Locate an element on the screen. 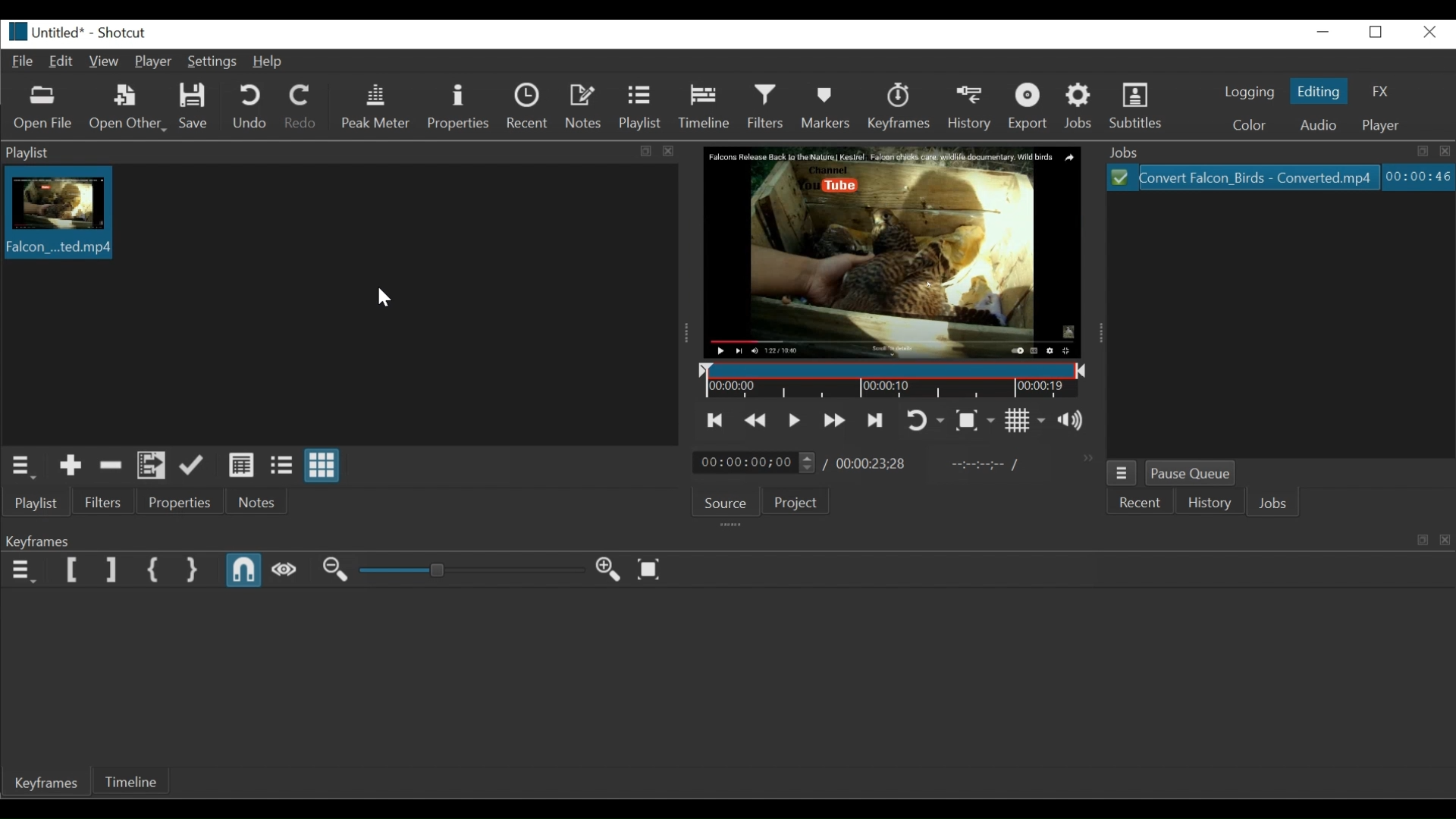 Image resolution: width=1456 pixels, height=819 pixels. Undo is located at coordinates (251, 107).